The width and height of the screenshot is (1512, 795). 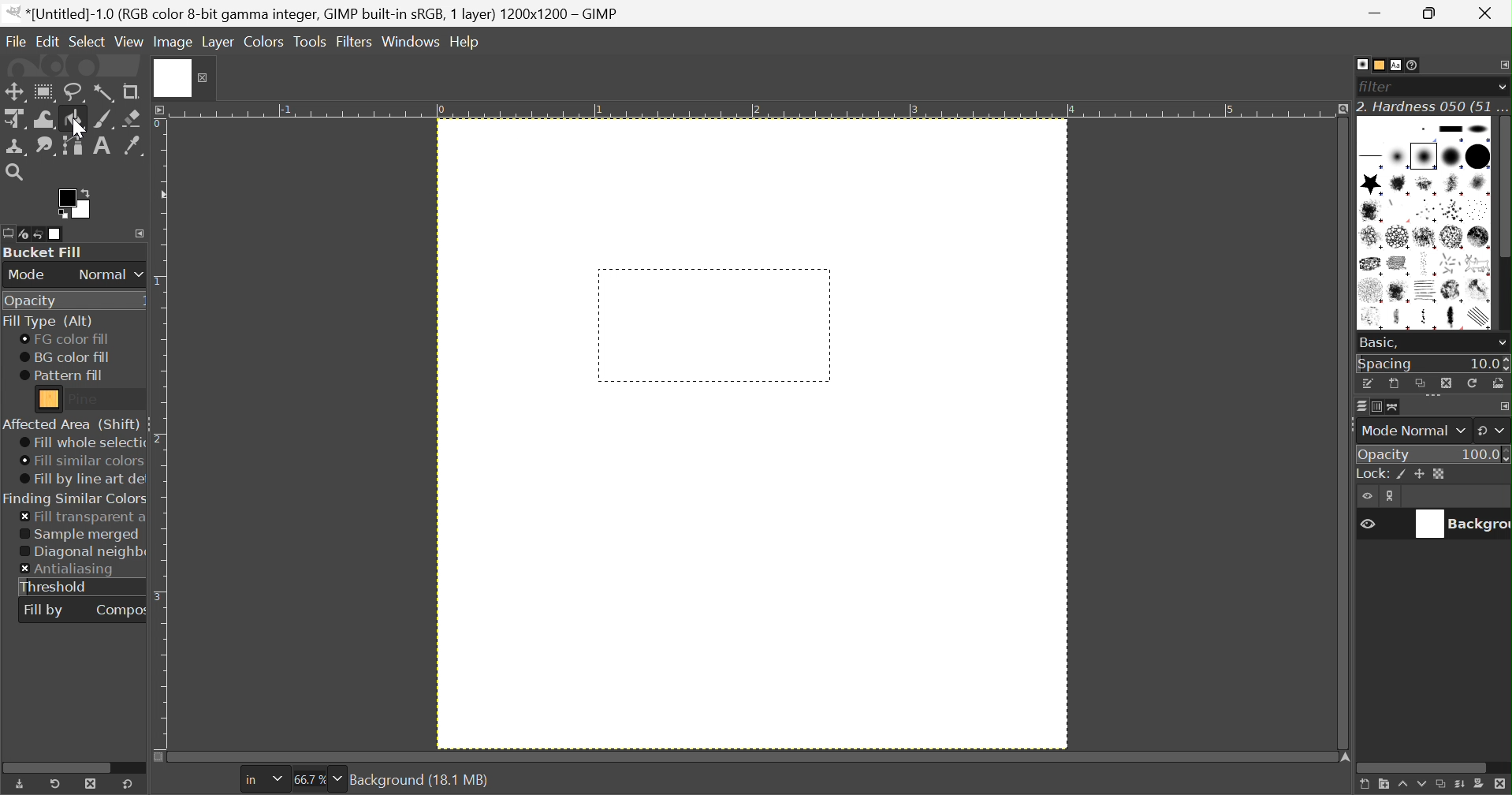 What do you see at coordinates (29, 302) in the screenshot?
I see `Opacity` at bounding box center [29, 302].